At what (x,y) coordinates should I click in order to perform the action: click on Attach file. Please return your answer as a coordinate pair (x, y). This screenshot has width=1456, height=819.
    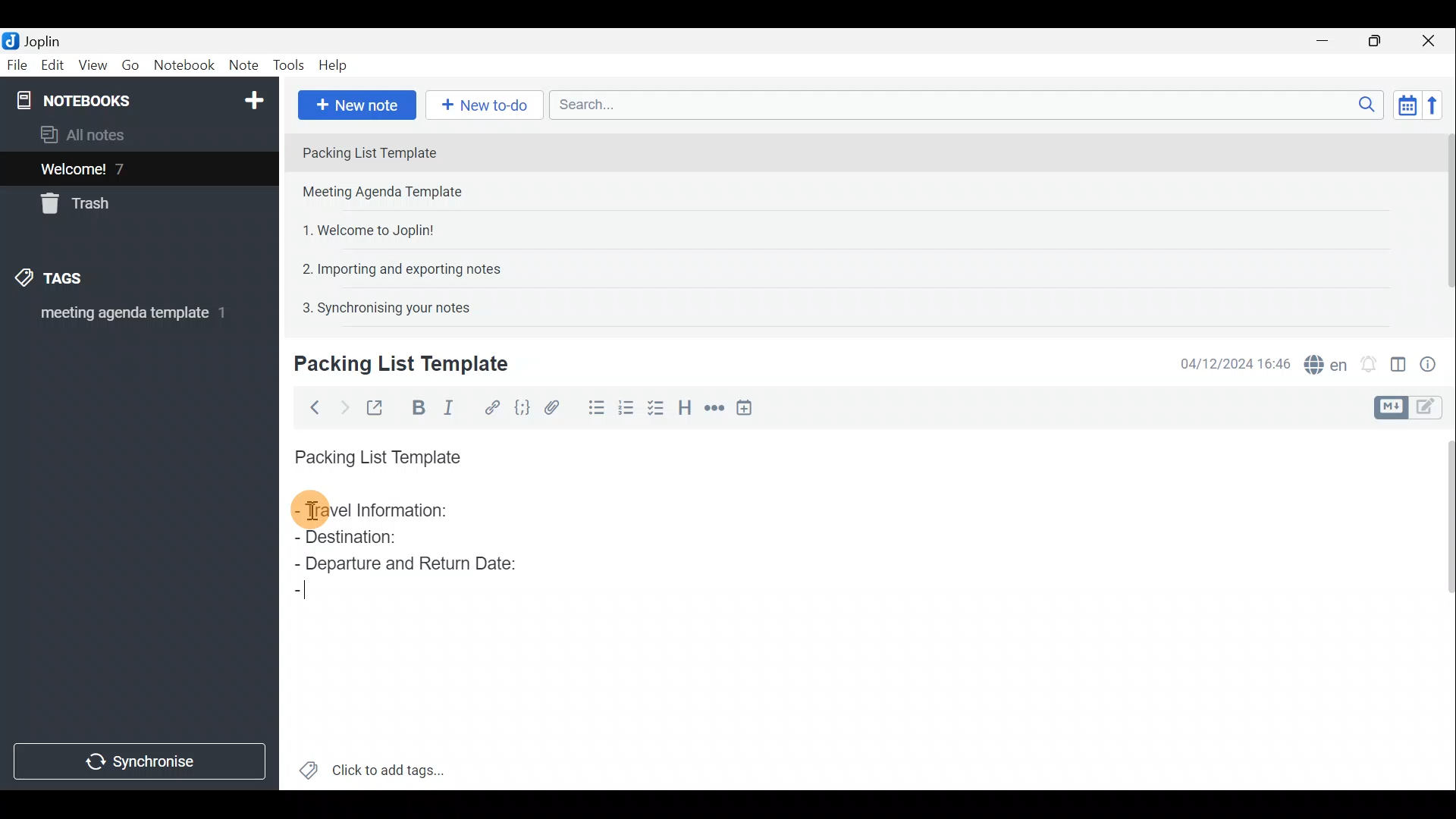
    Looking at the image, I should click on (552, 406).